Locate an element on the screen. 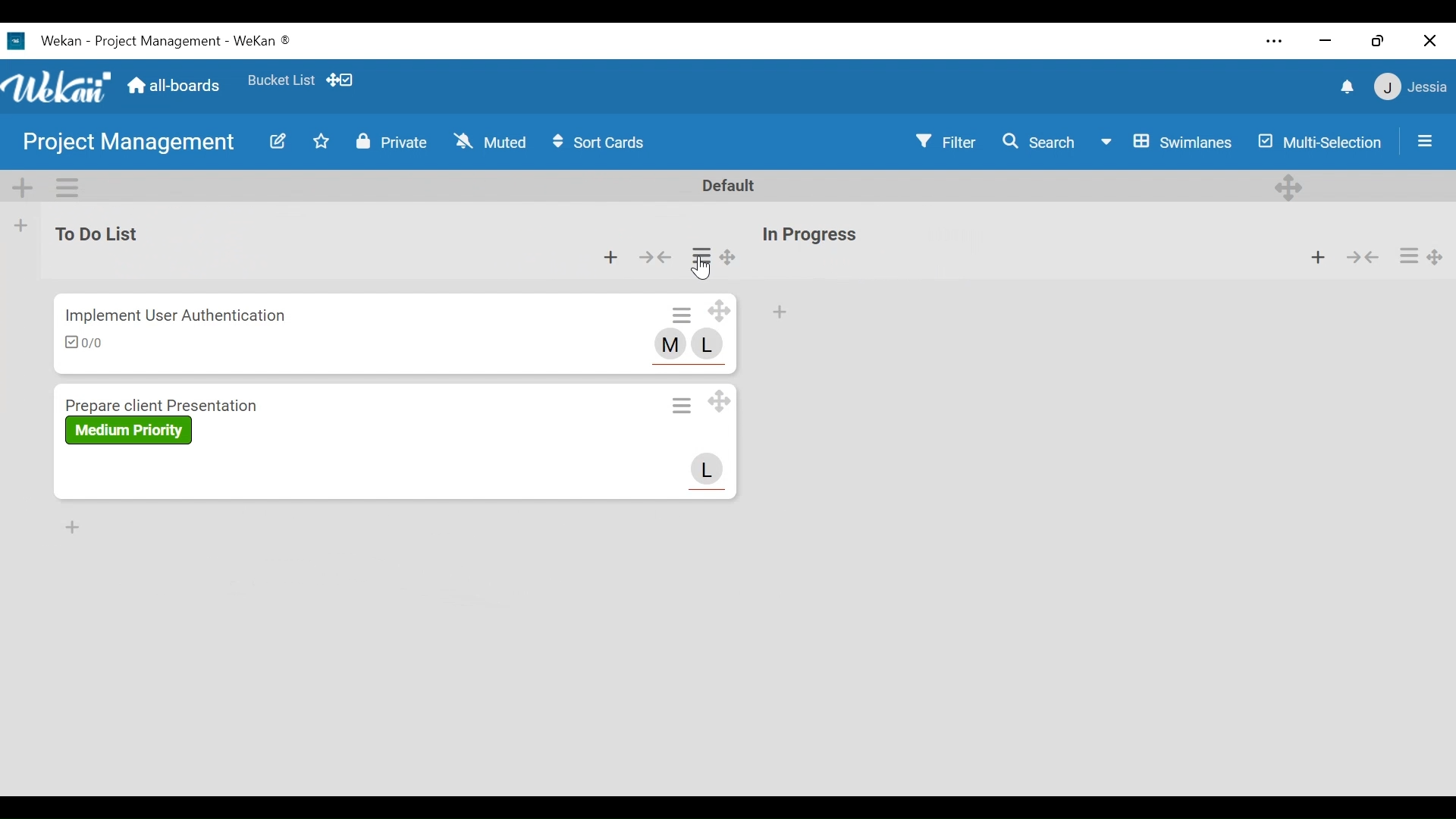 The image size is (1456, 819). L is located at coordinates (708, 470).